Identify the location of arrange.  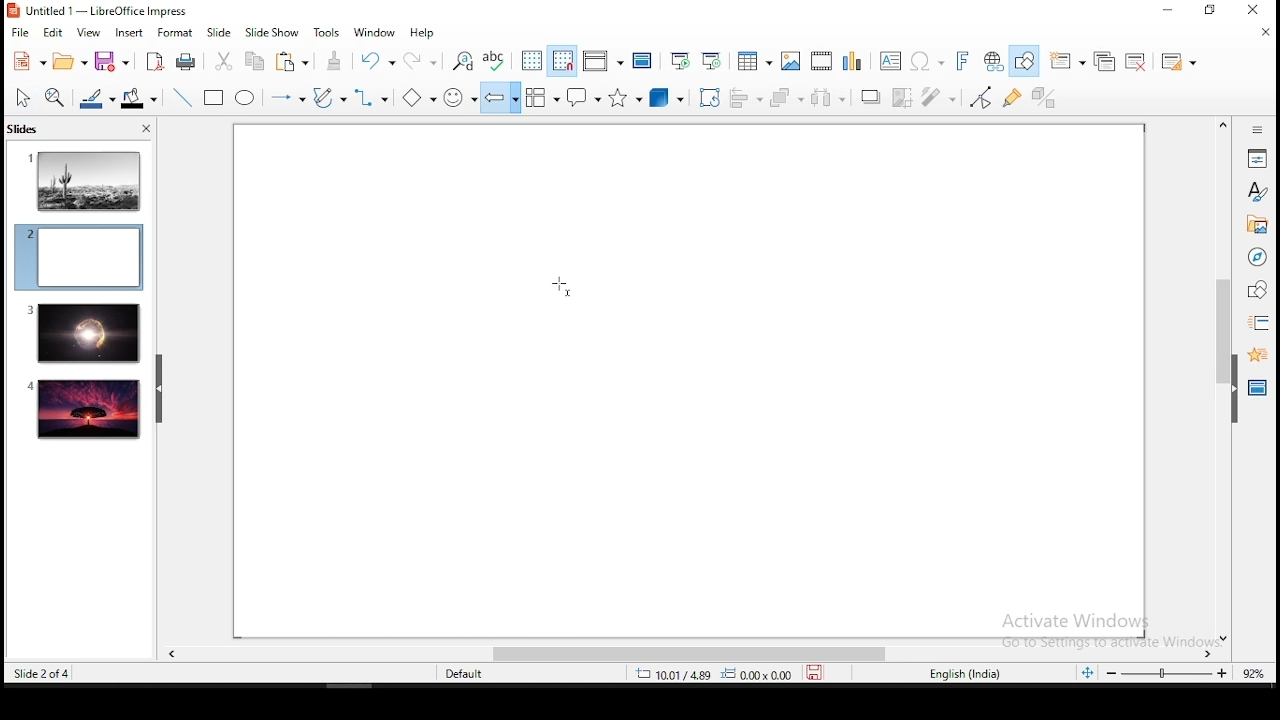
(789, 99).